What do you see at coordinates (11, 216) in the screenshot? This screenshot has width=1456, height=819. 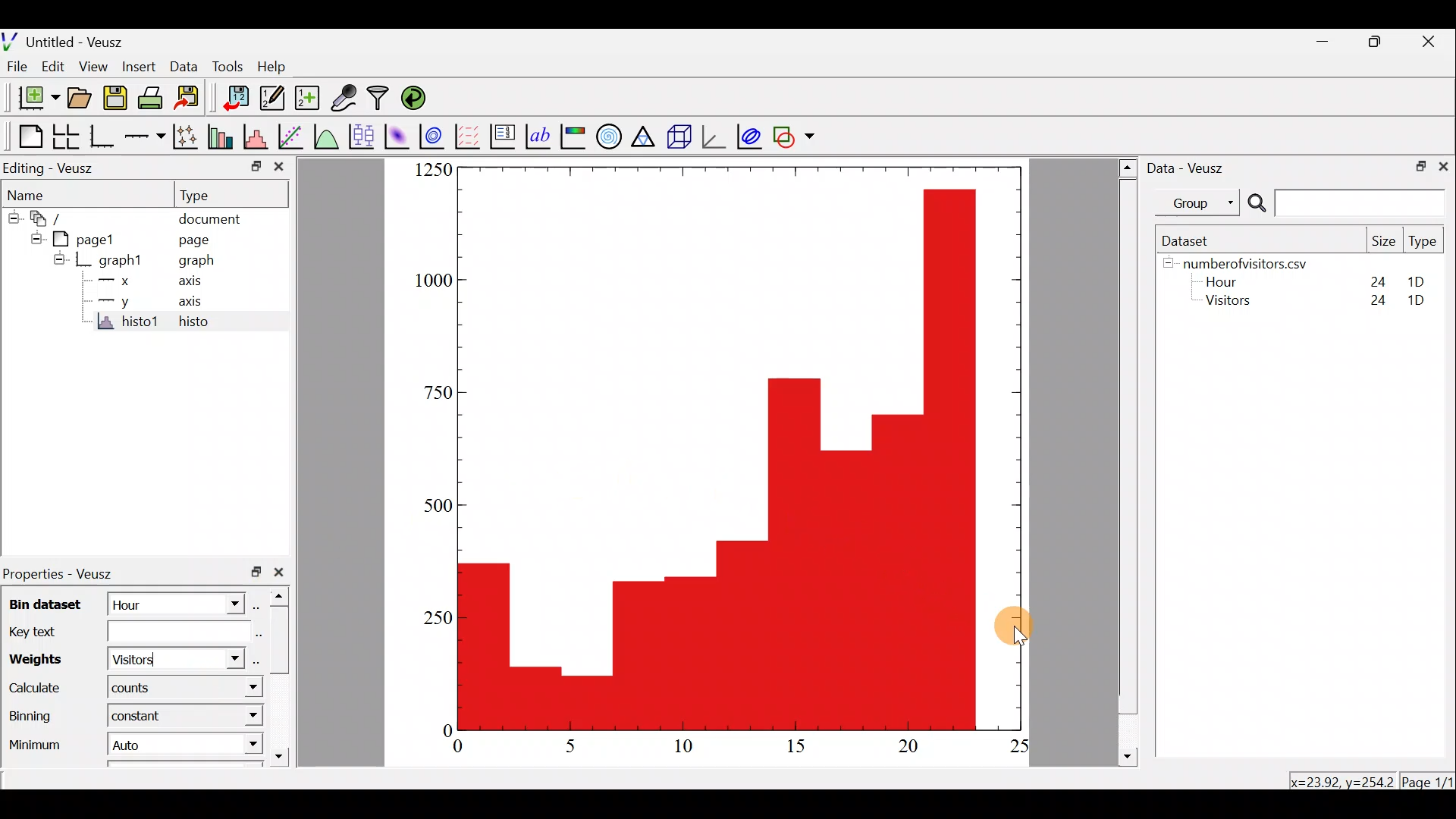 I see `hide sub menu` at bounding box center [11, 216].